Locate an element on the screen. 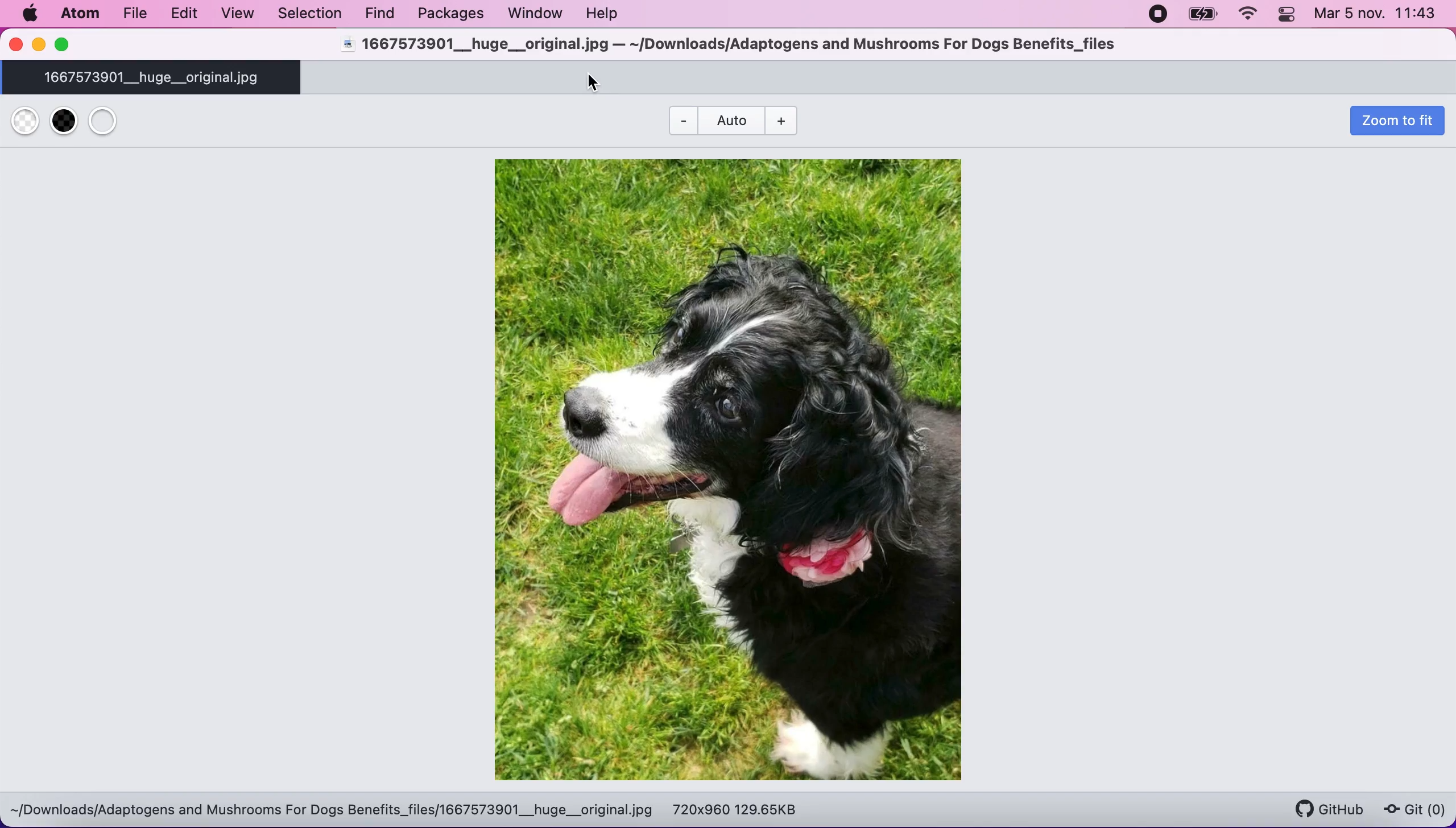  file image is located at coordinates (739, 467).